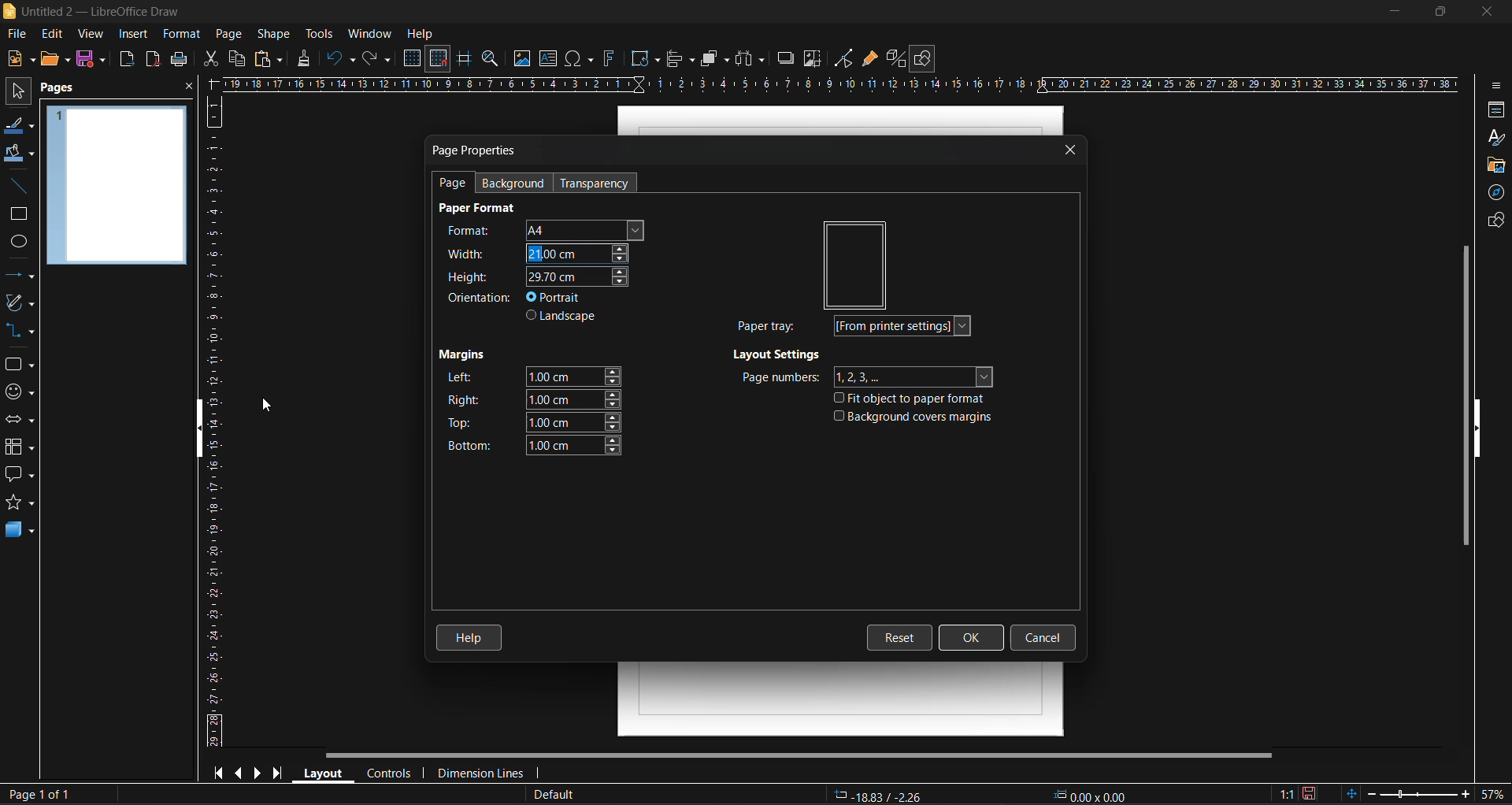 Image resolution: width=1512 pixels, height=805 pixels. I want to click on curves and polygons, so click(20, 303).